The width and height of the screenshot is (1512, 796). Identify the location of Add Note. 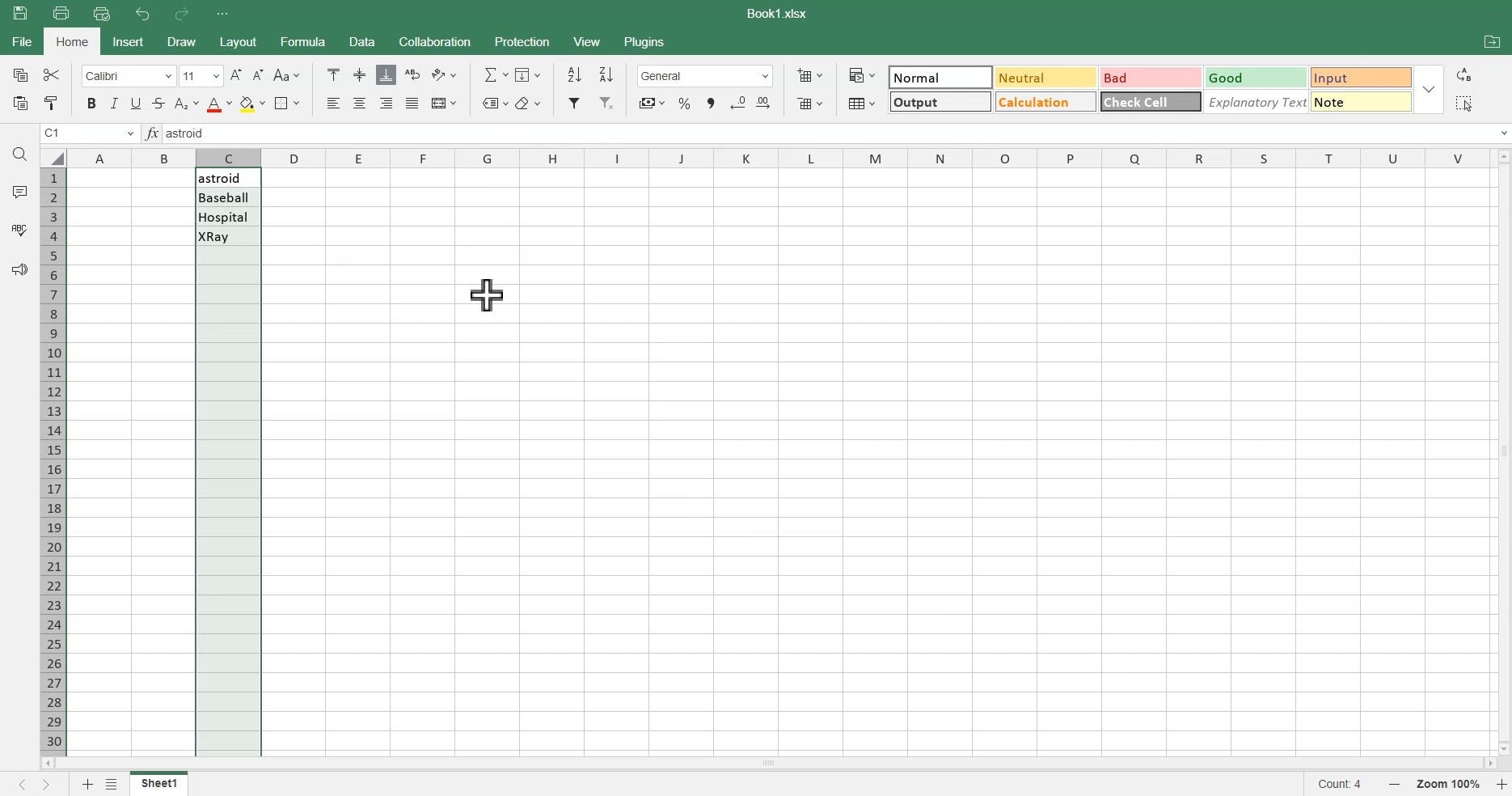
(18, 191).